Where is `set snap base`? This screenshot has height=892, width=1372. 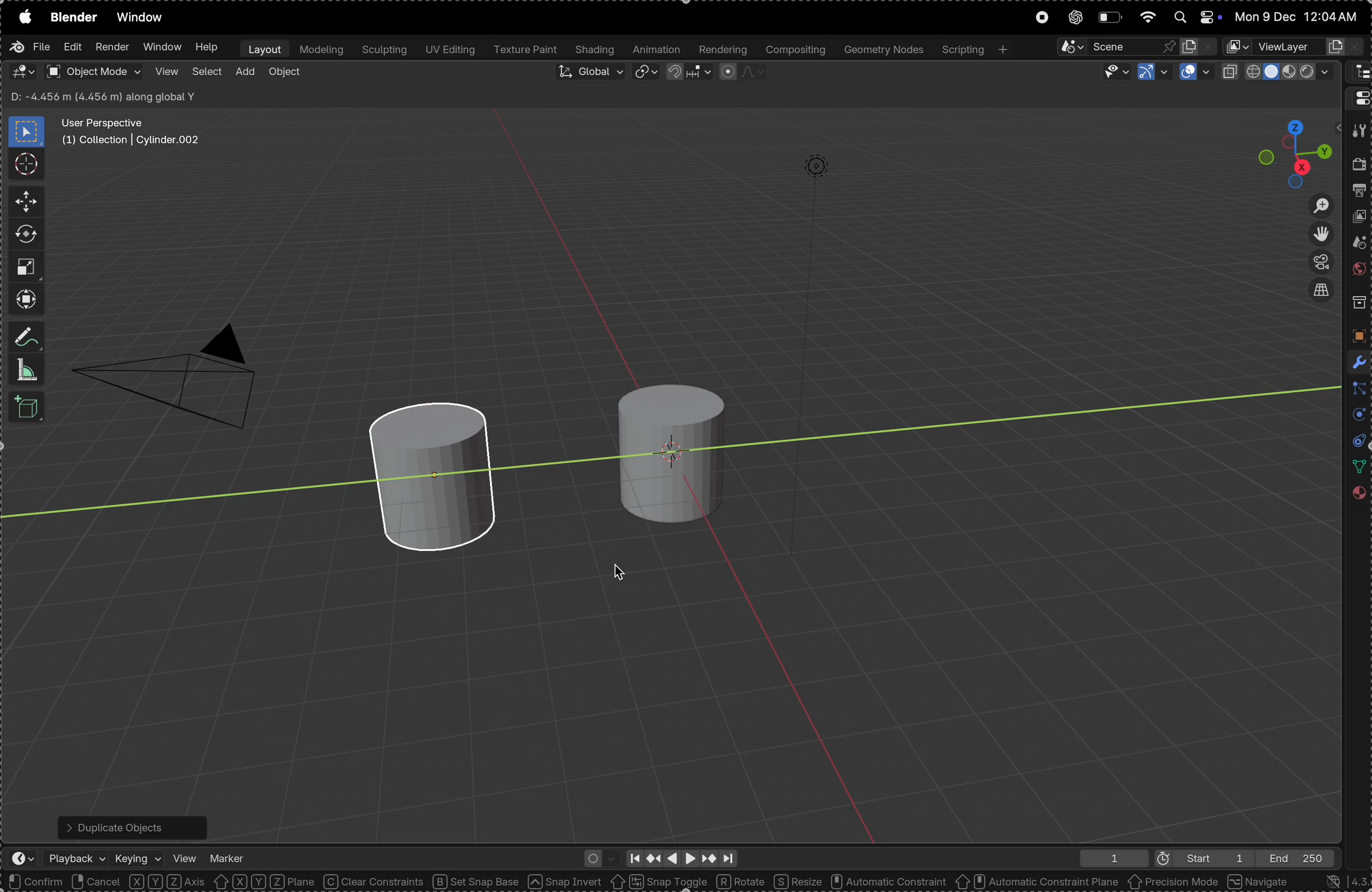
set snap base is located at coordinates (480, 882).